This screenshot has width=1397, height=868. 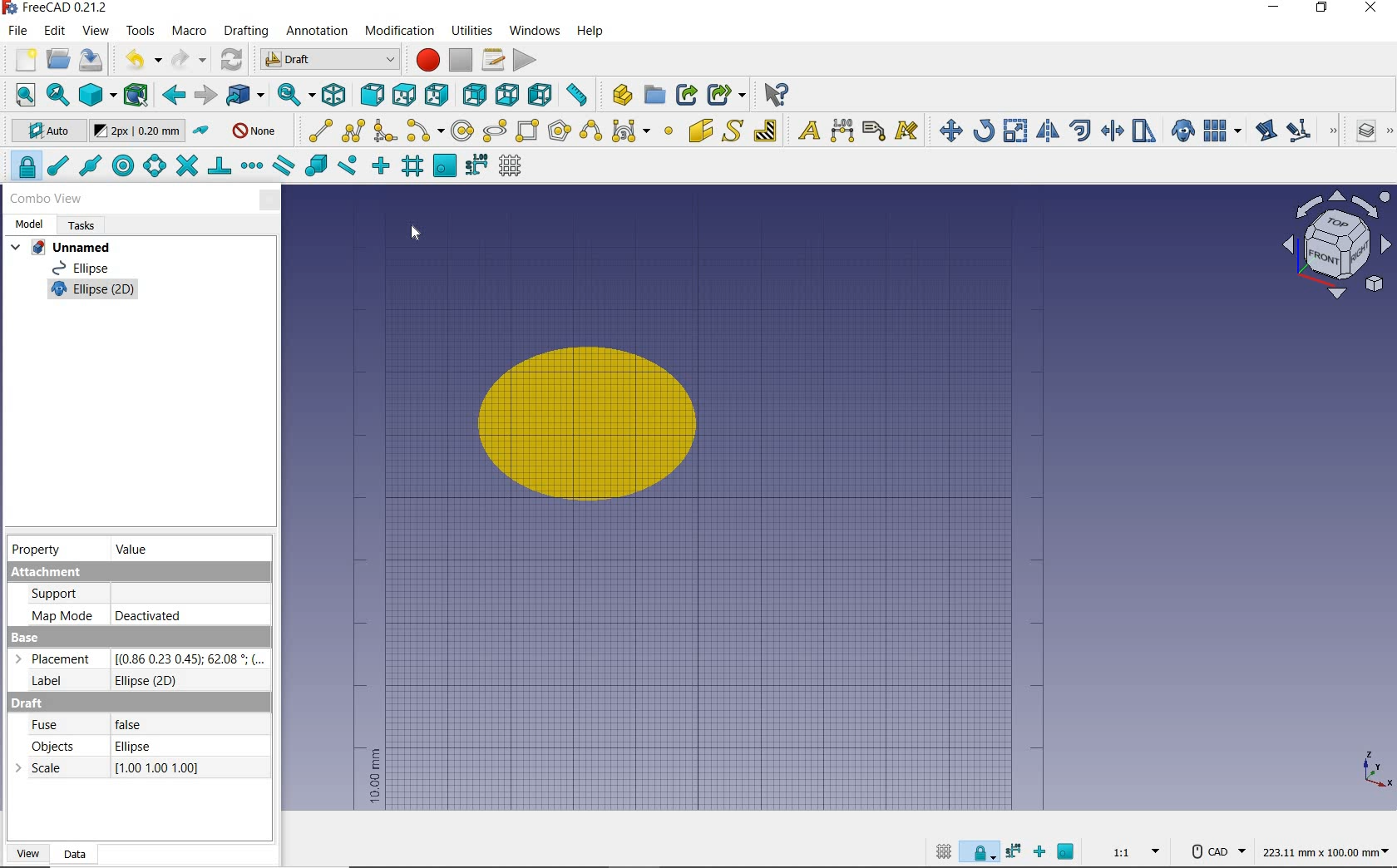 I want to click on property, so click(x=40, y=550).